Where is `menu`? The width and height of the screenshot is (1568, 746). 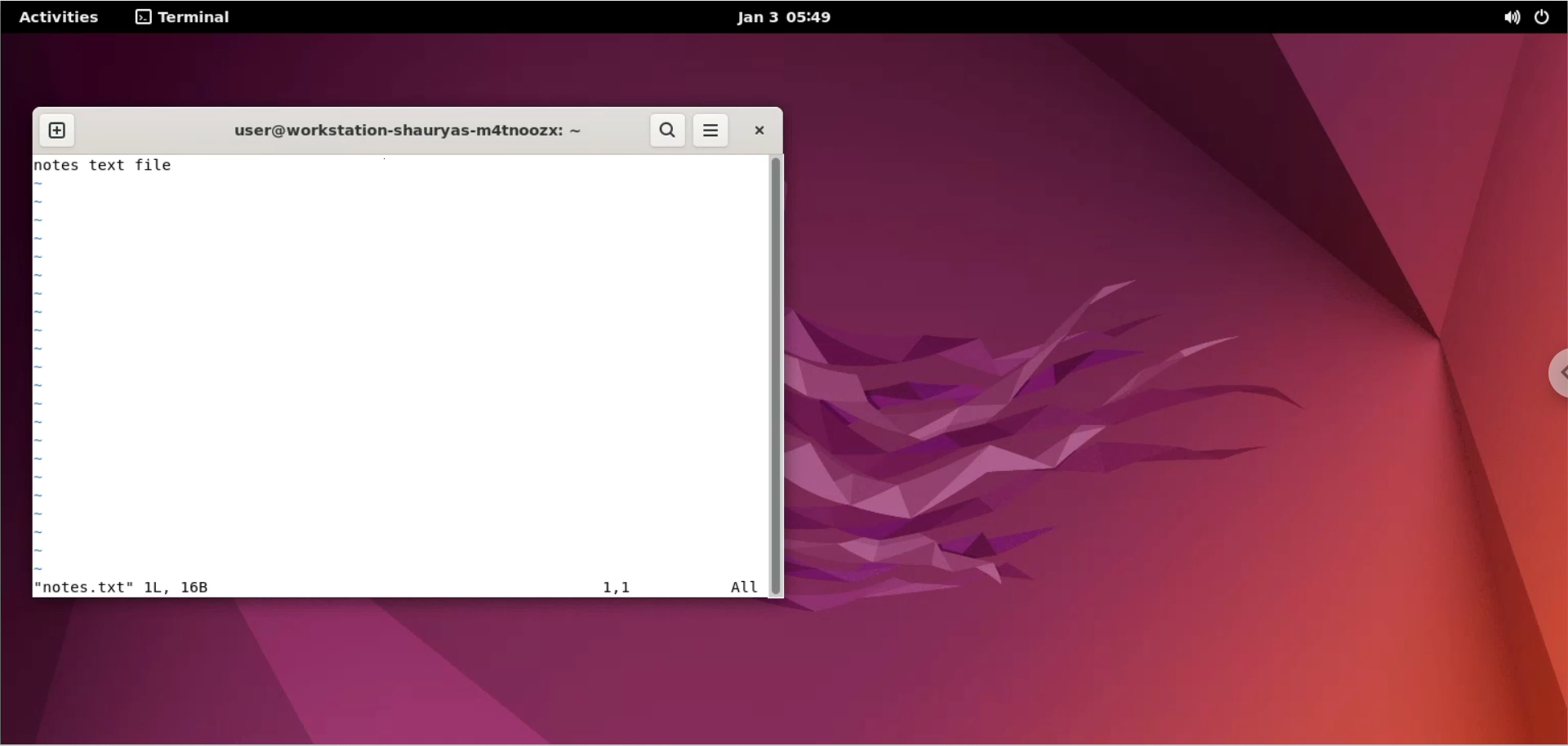 menu is located at coordinates (711, 132).